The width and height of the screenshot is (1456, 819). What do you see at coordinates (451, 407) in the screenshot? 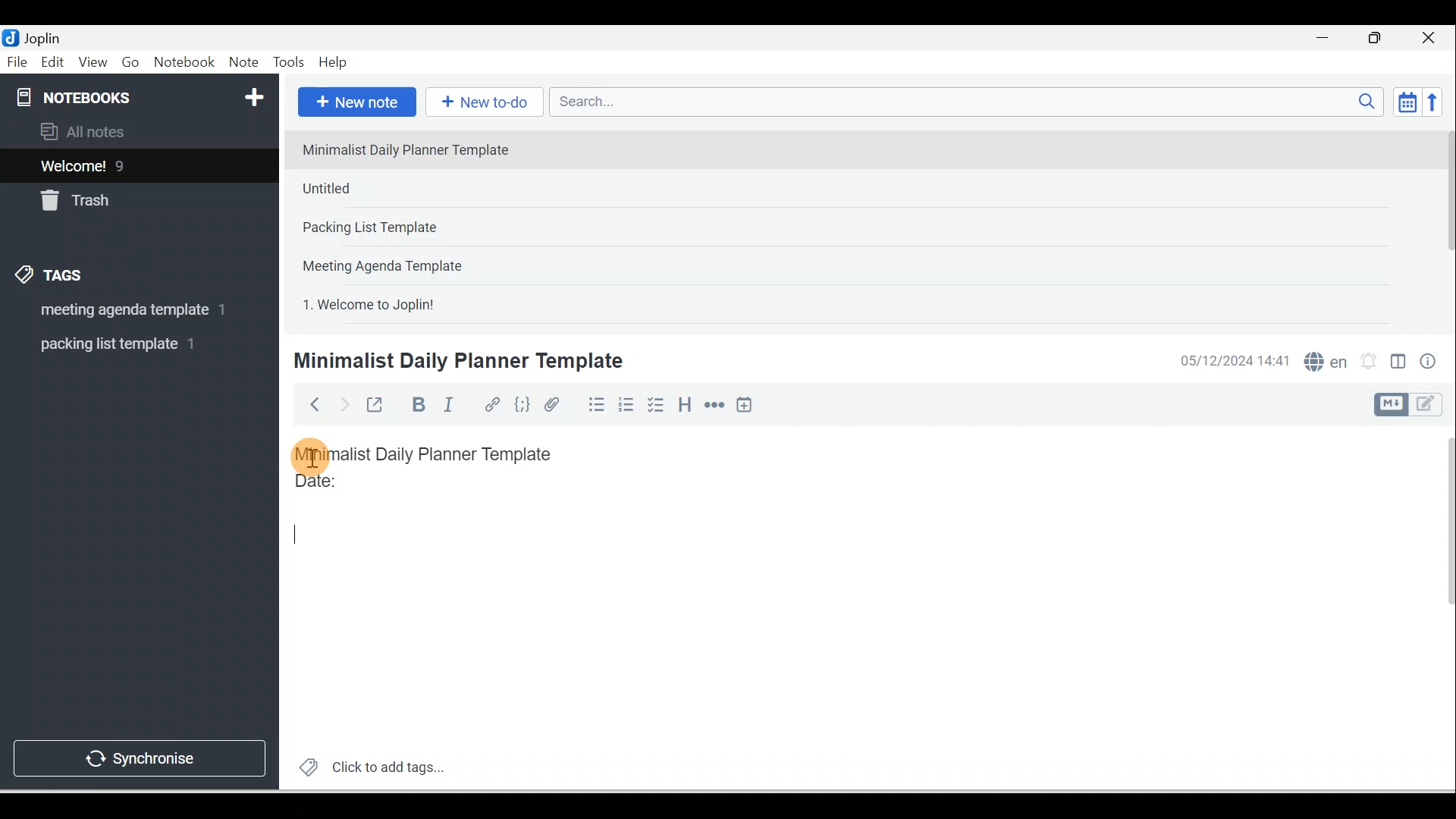
I see `Italic` at bounding box center [451, 407].